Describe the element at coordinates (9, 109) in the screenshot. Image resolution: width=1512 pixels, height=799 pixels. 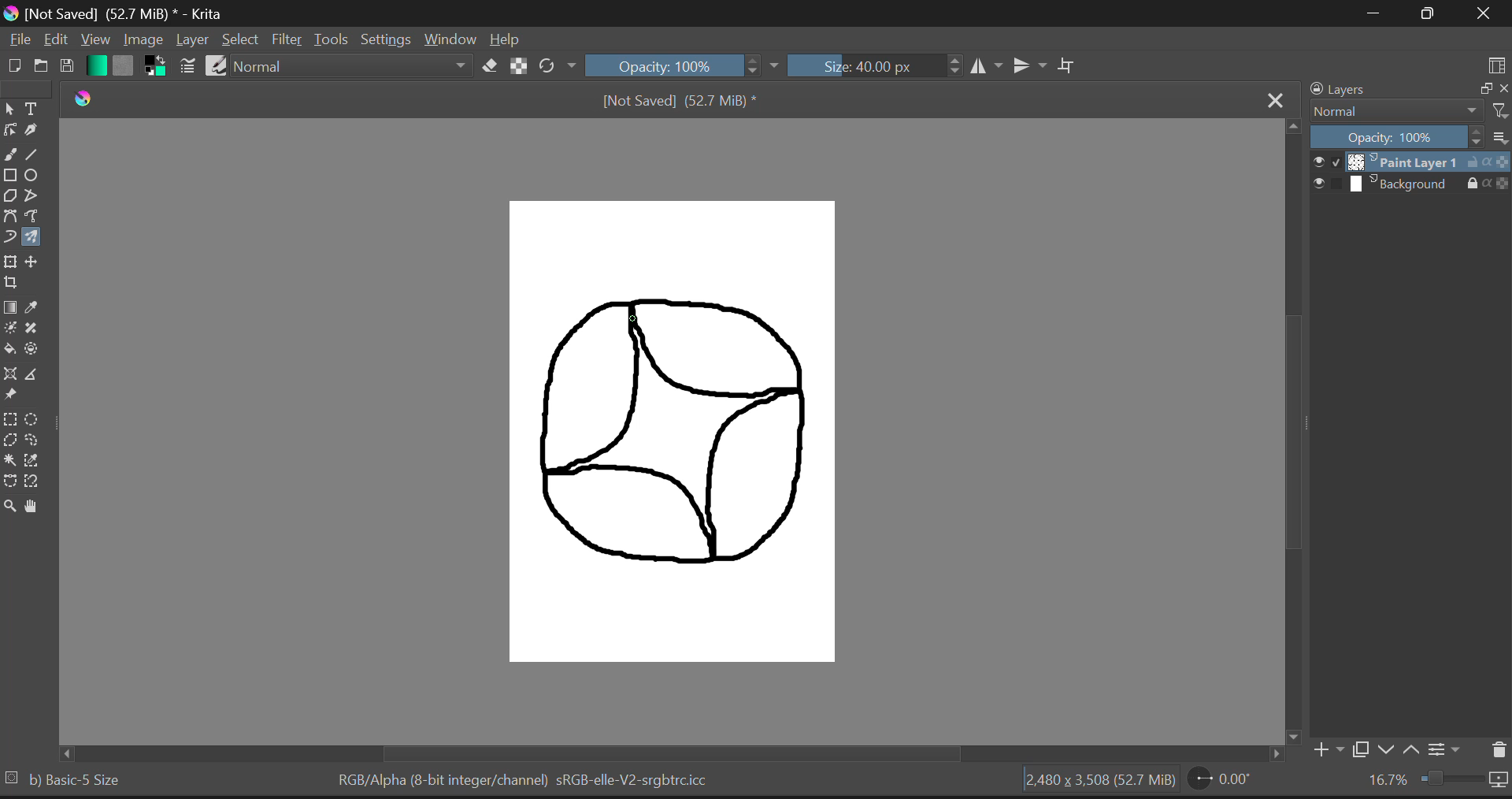
I see `Select` at that location.